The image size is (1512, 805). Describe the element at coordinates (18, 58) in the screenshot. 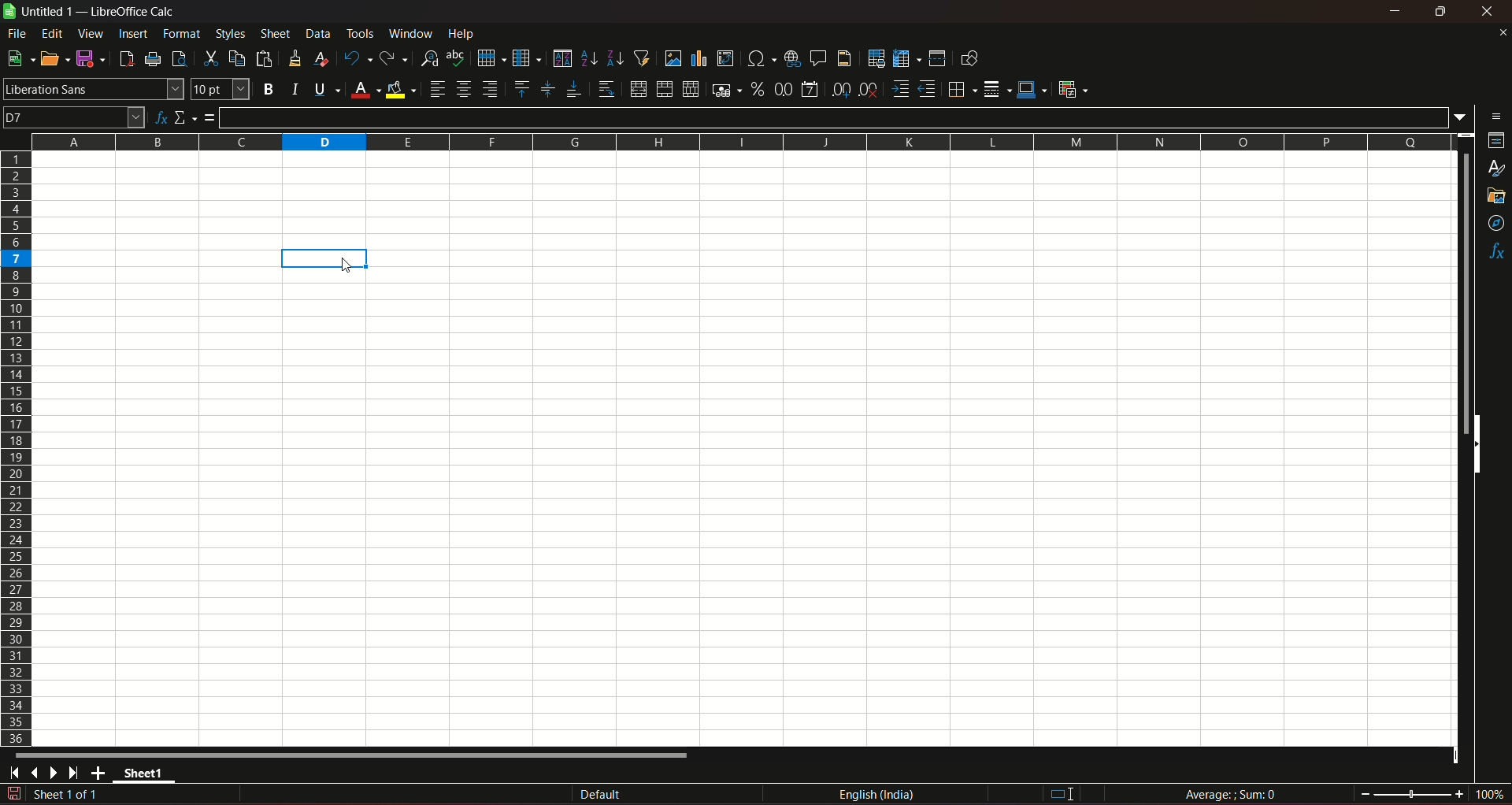

I see `new` at that location.